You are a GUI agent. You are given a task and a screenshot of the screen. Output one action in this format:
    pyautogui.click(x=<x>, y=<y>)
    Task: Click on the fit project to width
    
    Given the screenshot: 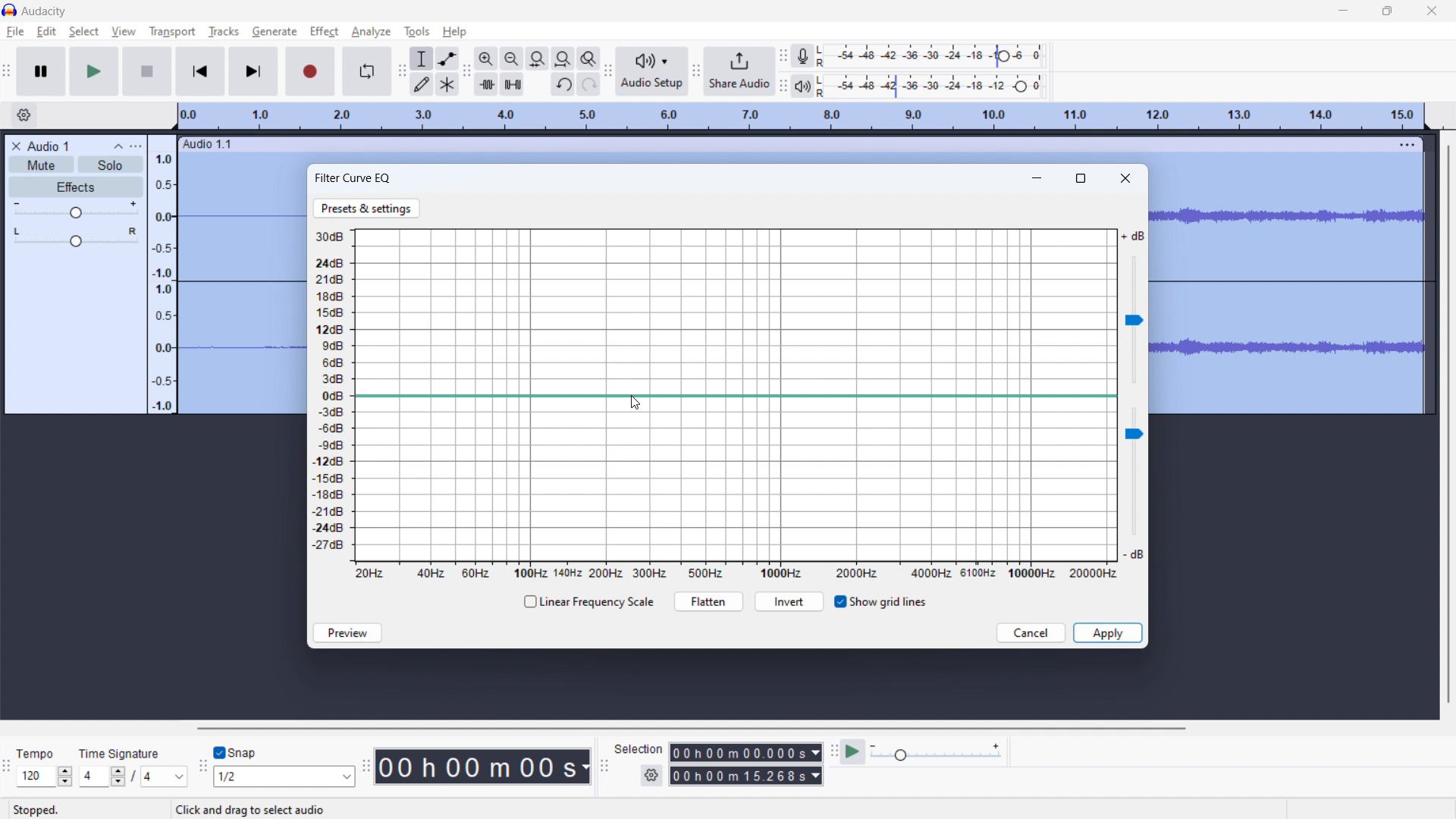 What is the action you would take?
    pyautogui.click(x=563, y=58)
    